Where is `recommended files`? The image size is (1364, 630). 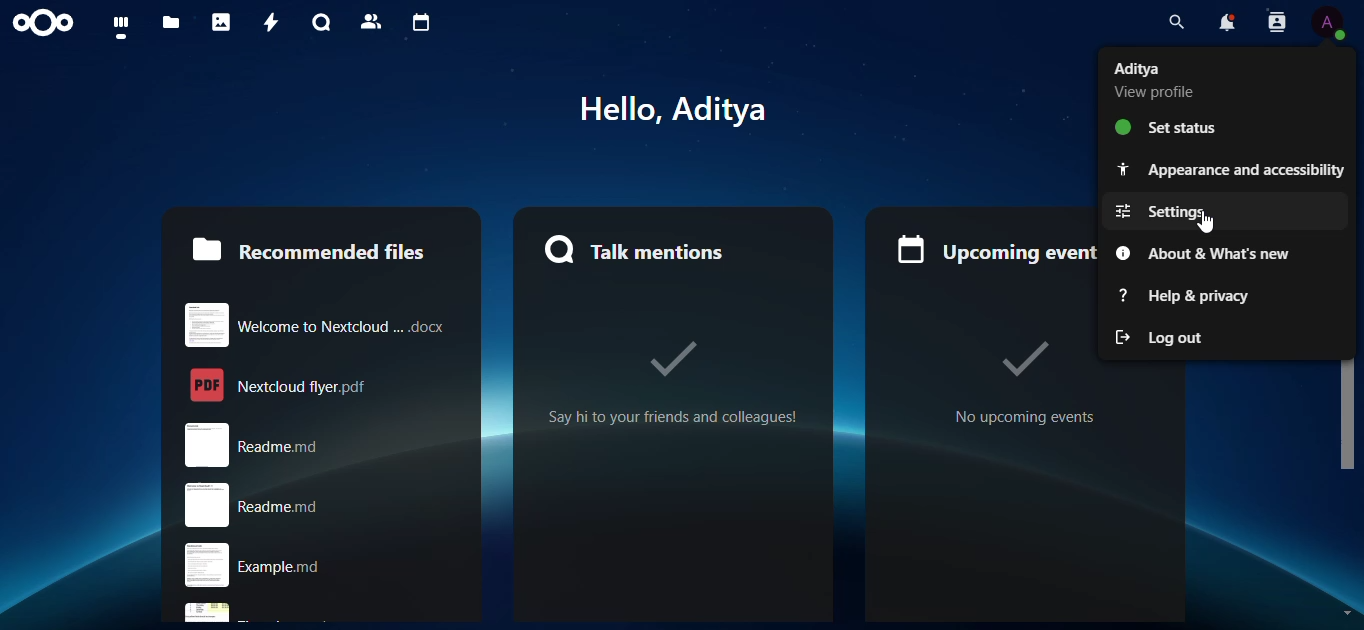
recommended files is located at coordinates (307, 248).